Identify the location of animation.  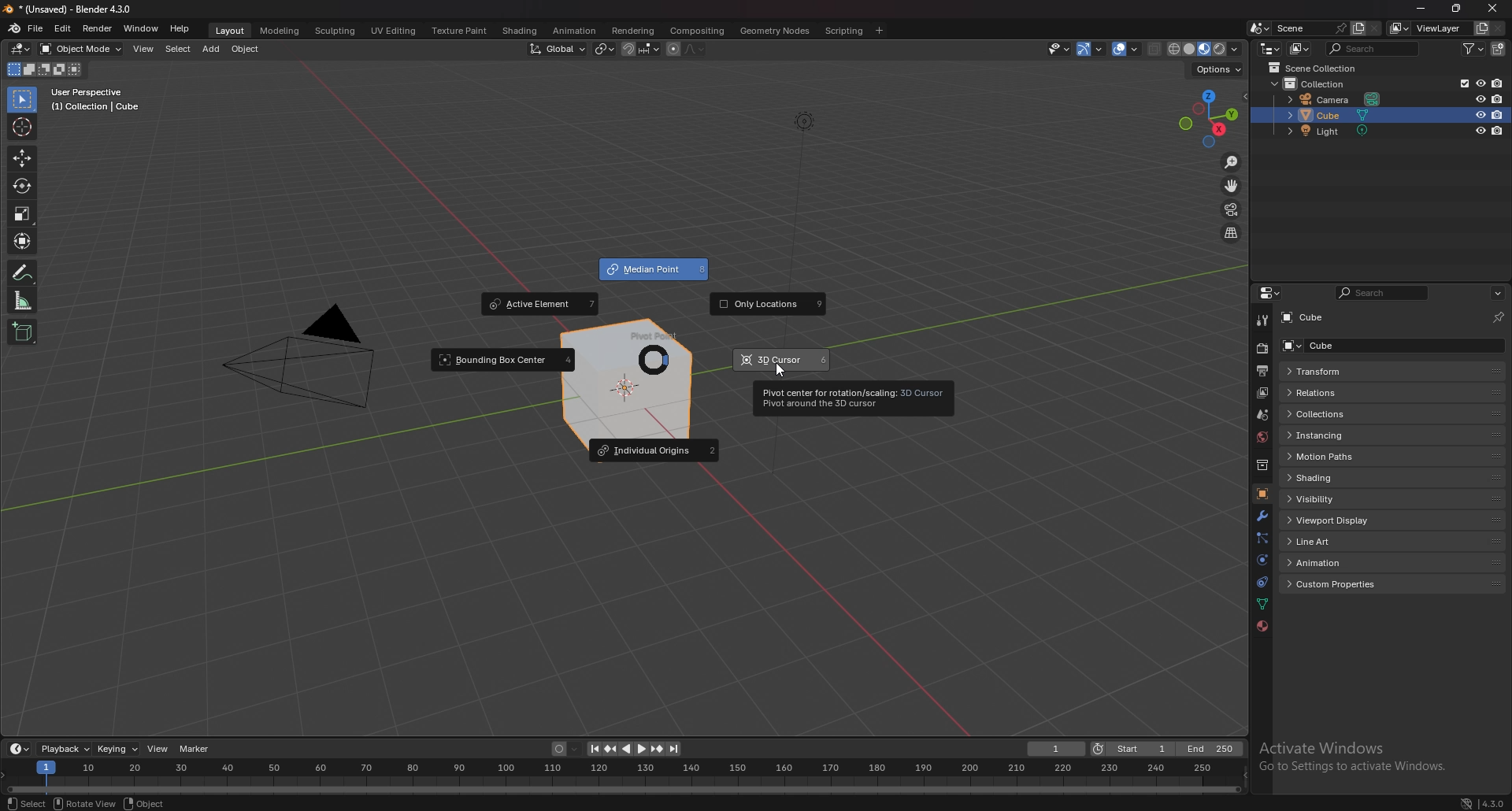
(575, 31).